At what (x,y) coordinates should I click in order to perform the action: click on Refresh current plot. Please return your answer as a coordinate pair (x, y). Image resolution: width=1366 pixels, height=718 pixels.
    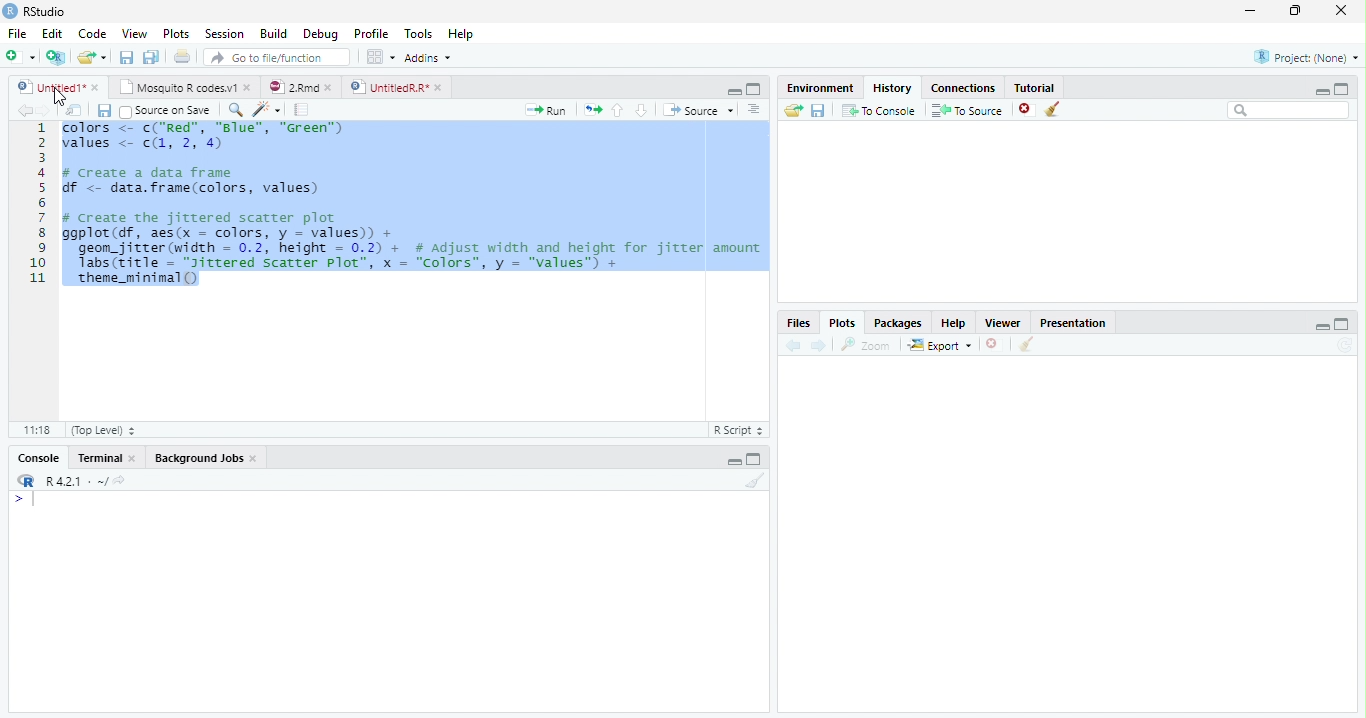
    Looking at the image, I should click on (1345, 345).